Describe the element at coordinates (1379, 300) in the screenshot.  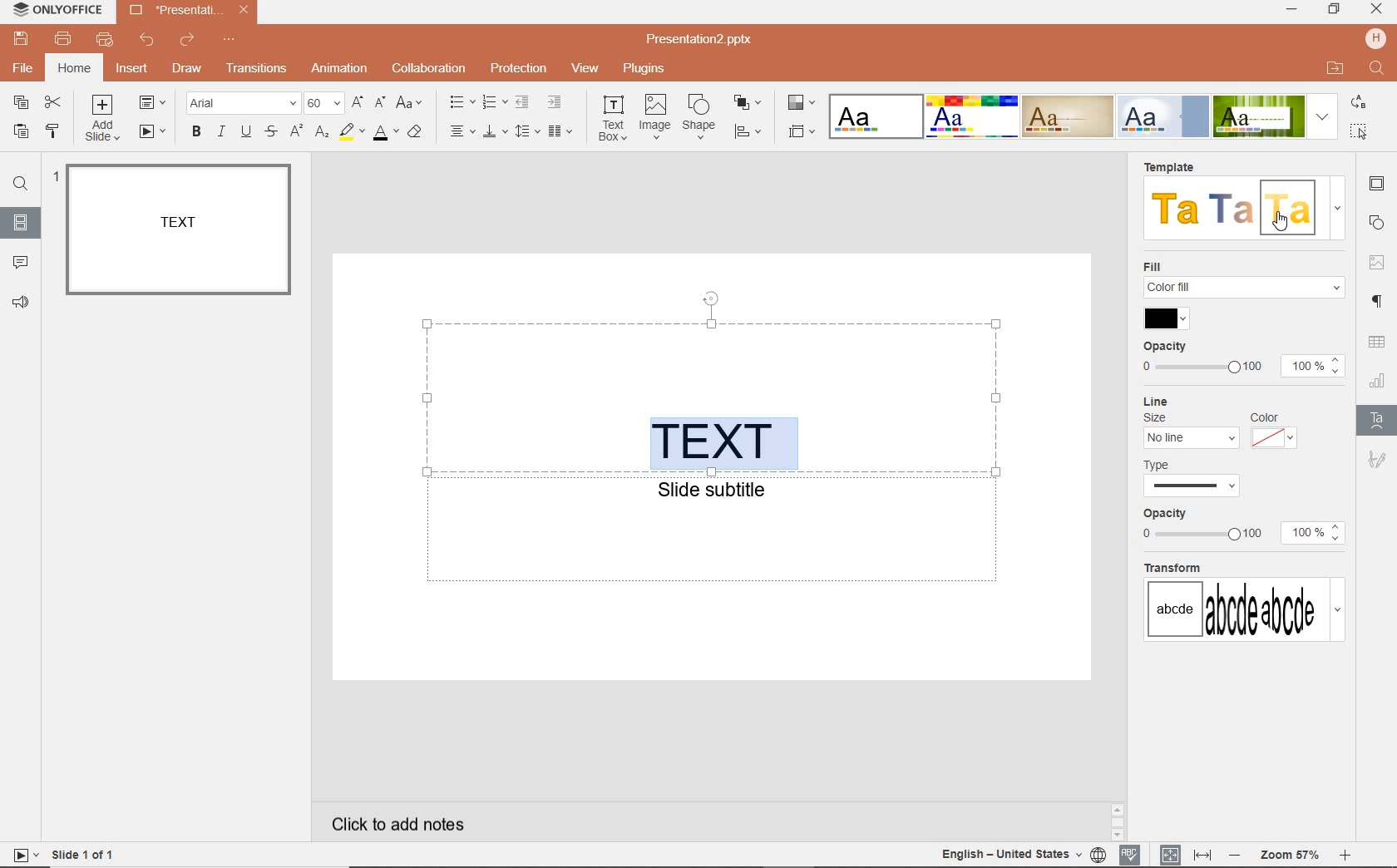
I see `PARAGRAPH SETTINGS` at that location.